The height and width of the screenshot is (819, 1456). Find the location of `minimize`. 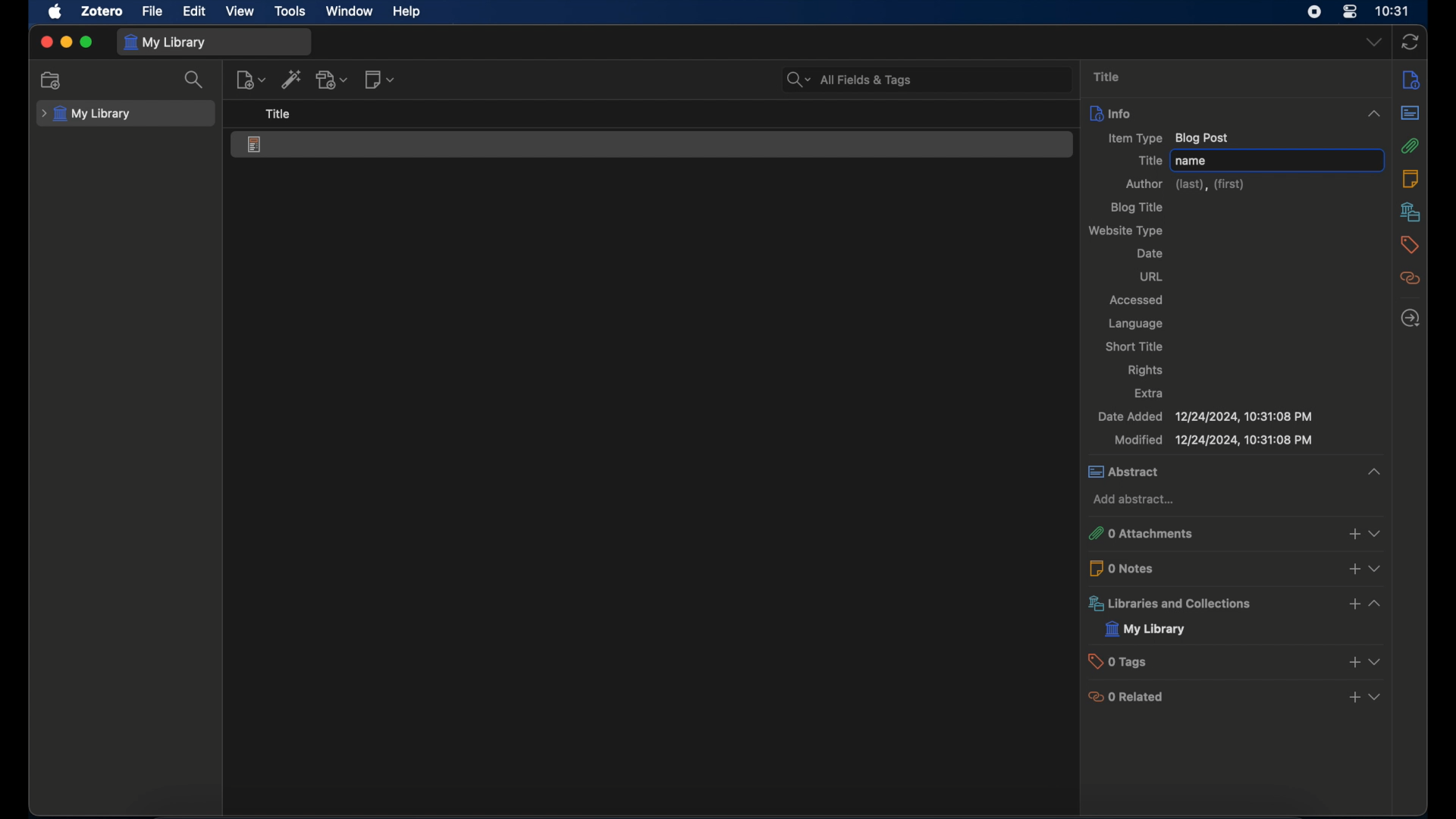

minimize is located at coordinates (65, 43).